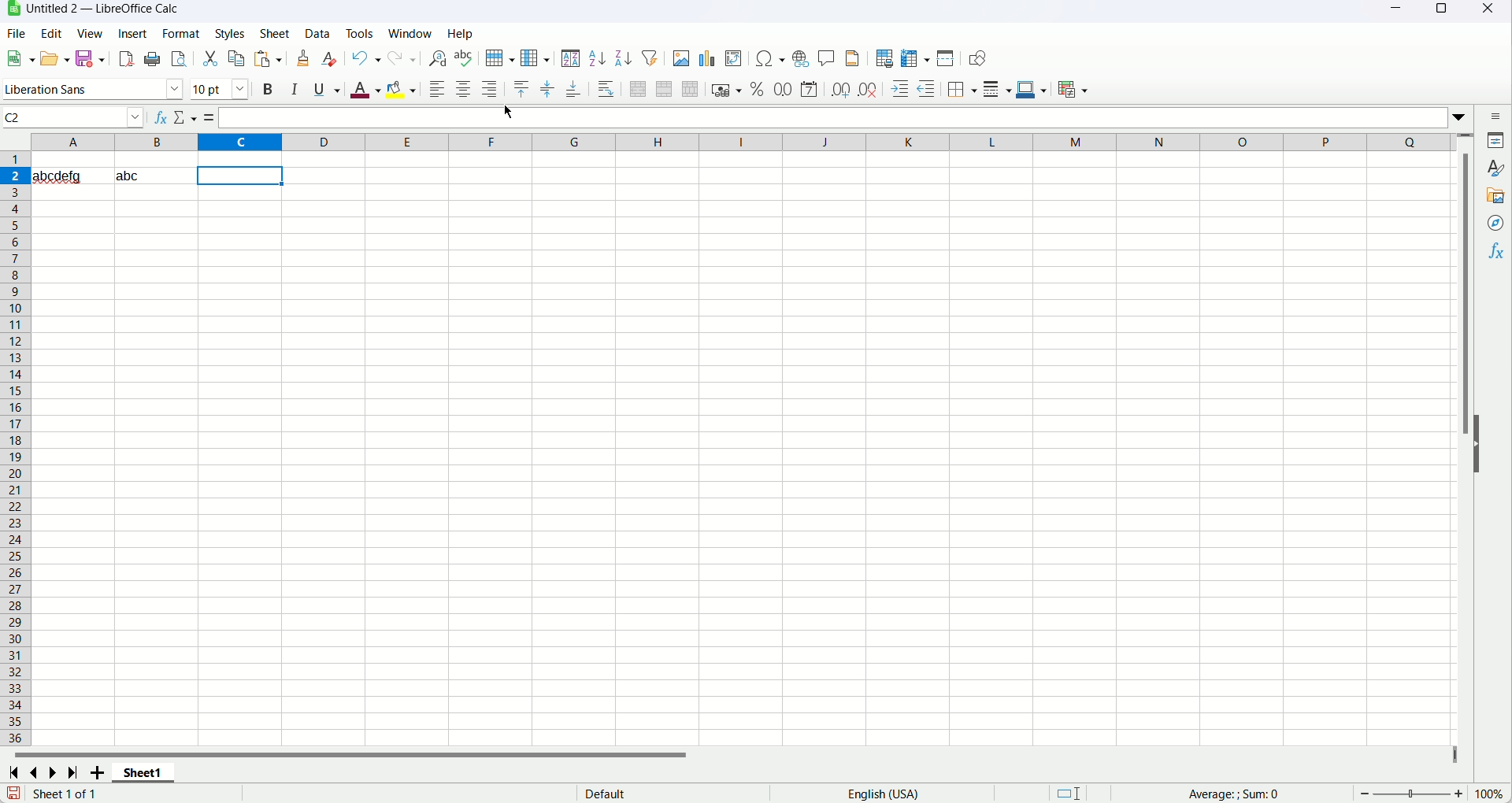 The image size is (1512, 803). I want to click on center vertically, so click(547, 89).